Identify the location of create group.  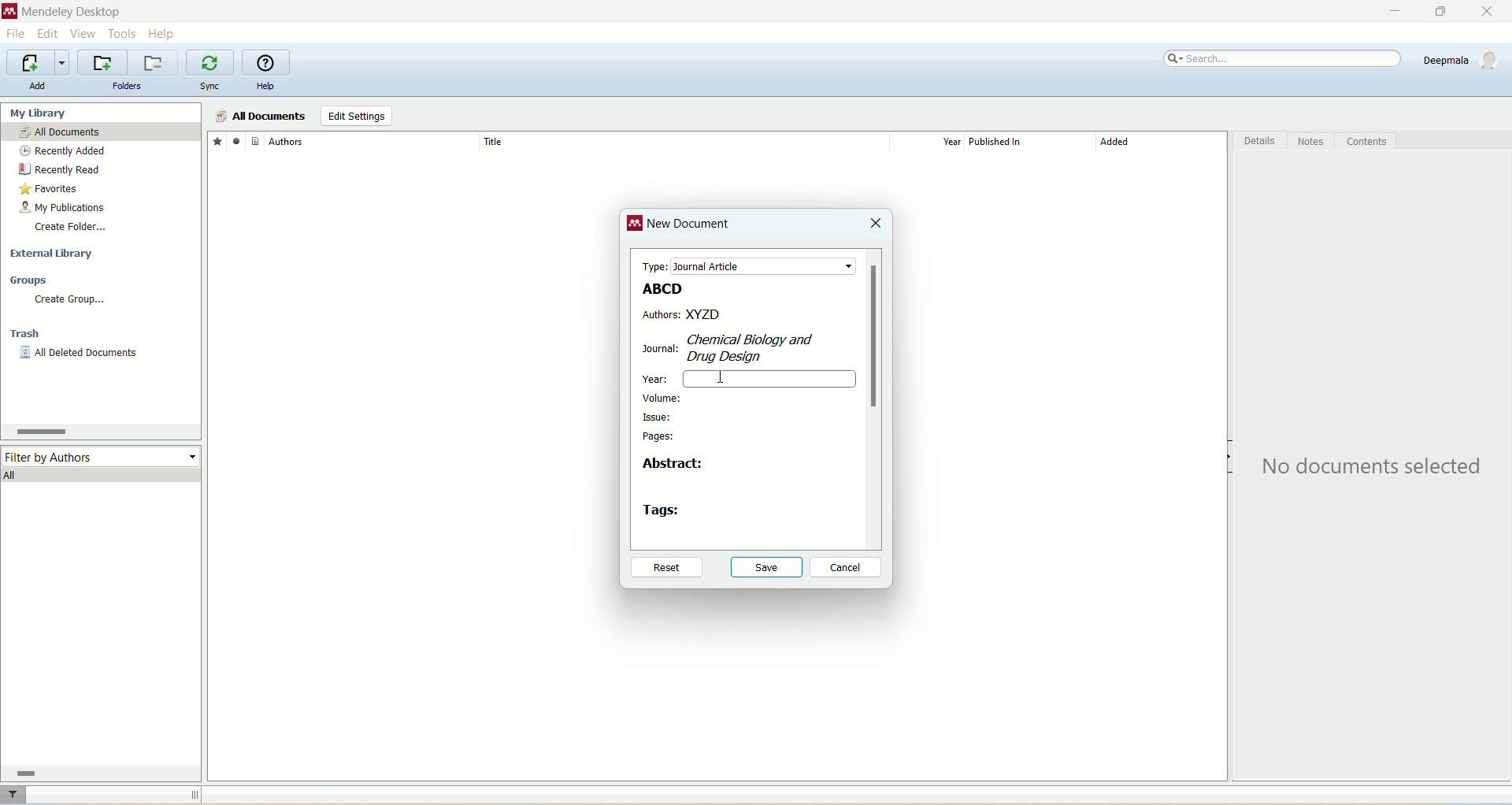
(69, 299).